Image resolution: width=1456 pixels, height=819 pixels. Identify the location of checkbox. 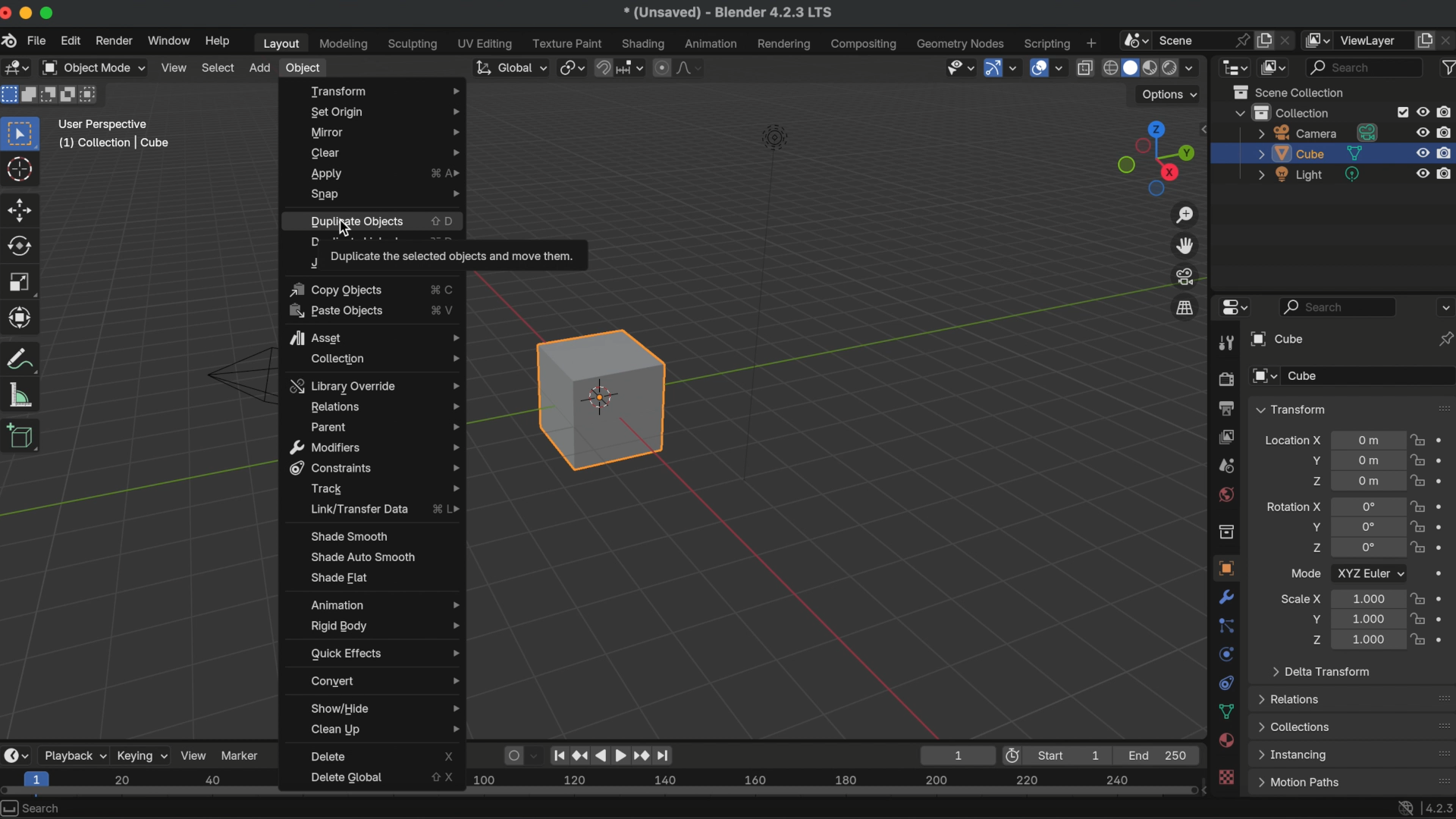
(1400, 112).